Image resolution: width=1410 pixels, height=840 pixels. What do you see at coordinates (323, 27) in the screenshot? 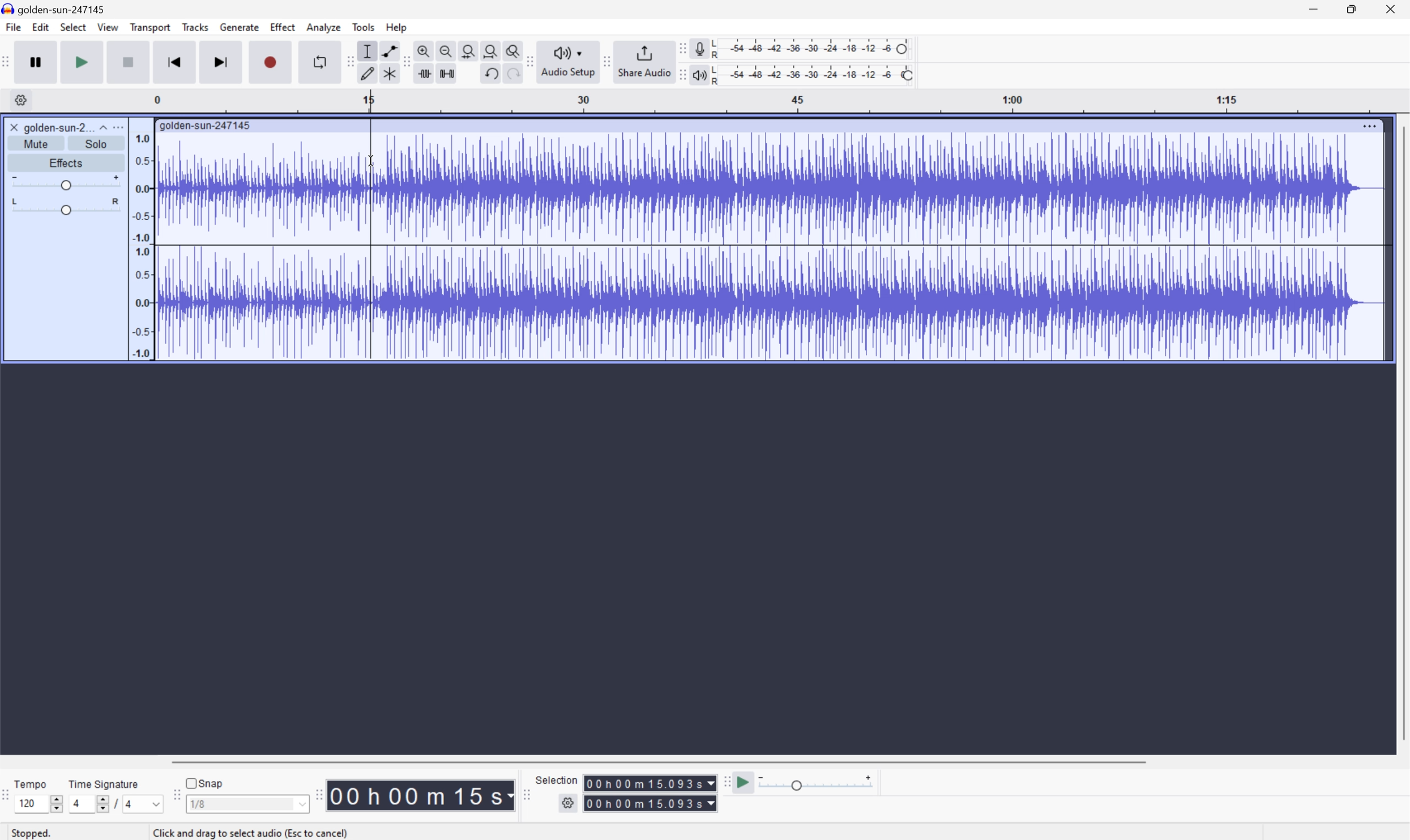
I see `Analyze` at bounding box center [323, 27].